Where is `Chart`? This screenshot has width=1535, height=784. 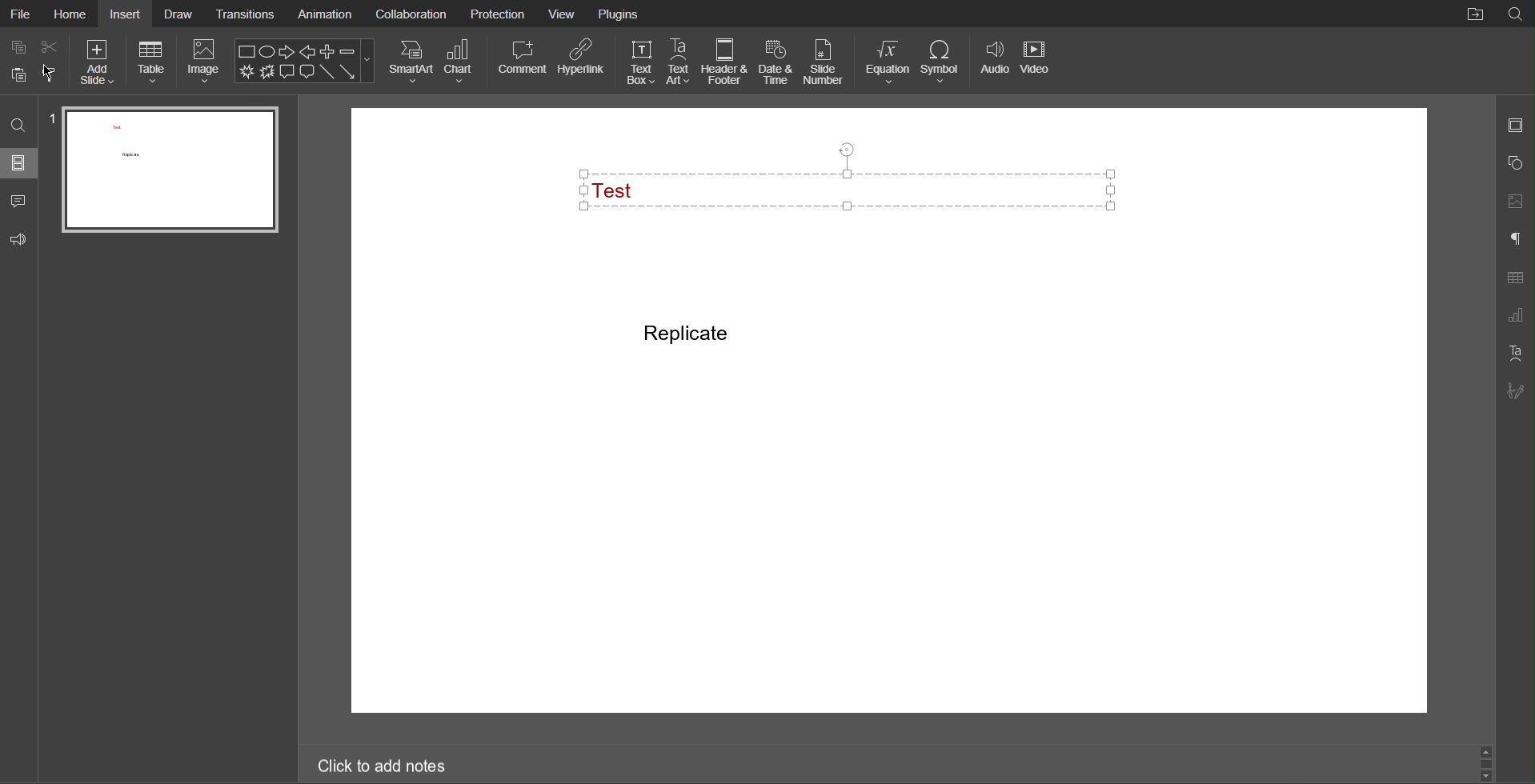 Chart is located at coordinates (463, 62).